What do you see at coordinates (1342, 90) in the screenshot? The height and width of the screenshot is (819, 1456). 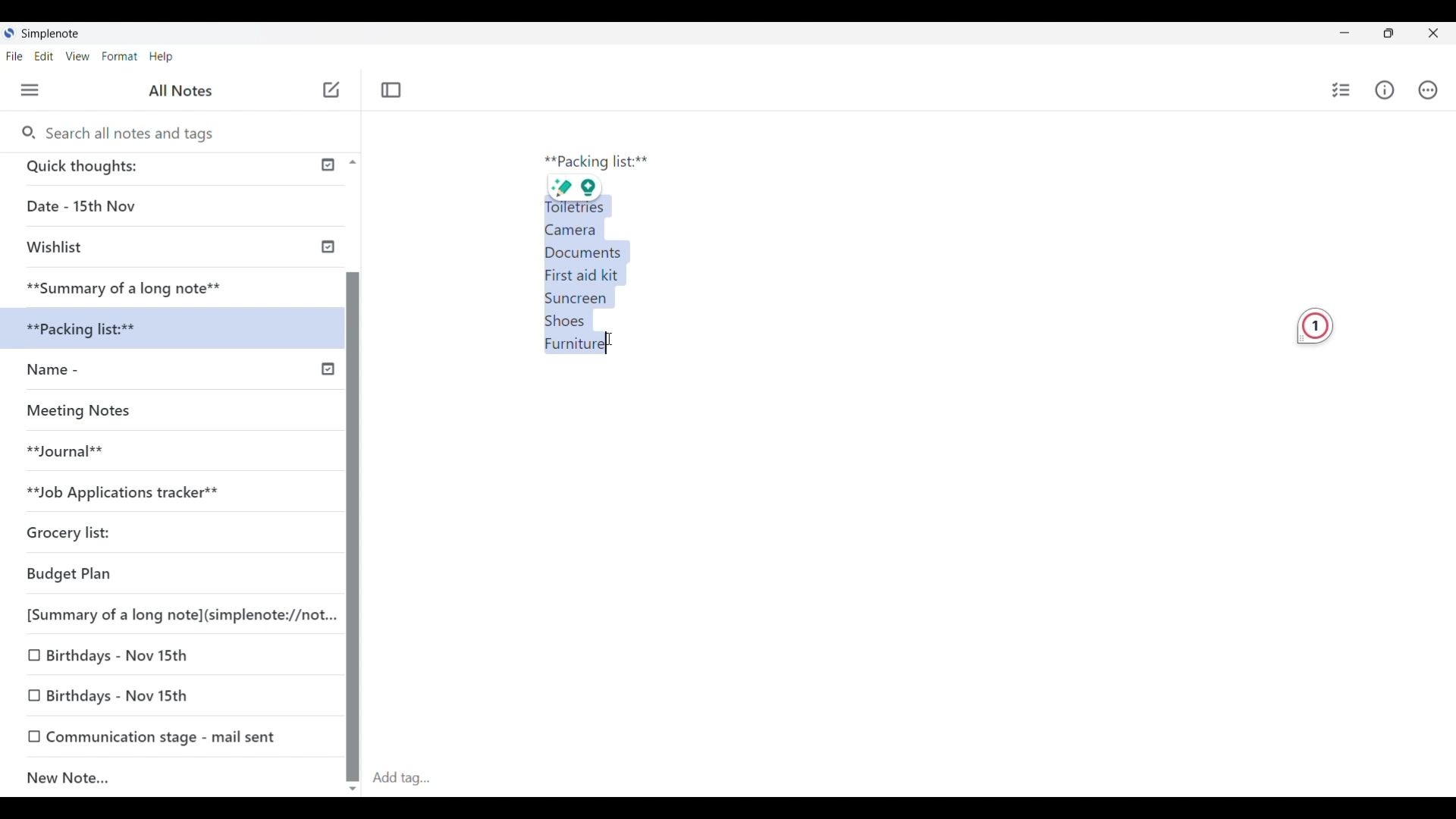 I see `Insert checklist` at bounding box center [1342, 90].